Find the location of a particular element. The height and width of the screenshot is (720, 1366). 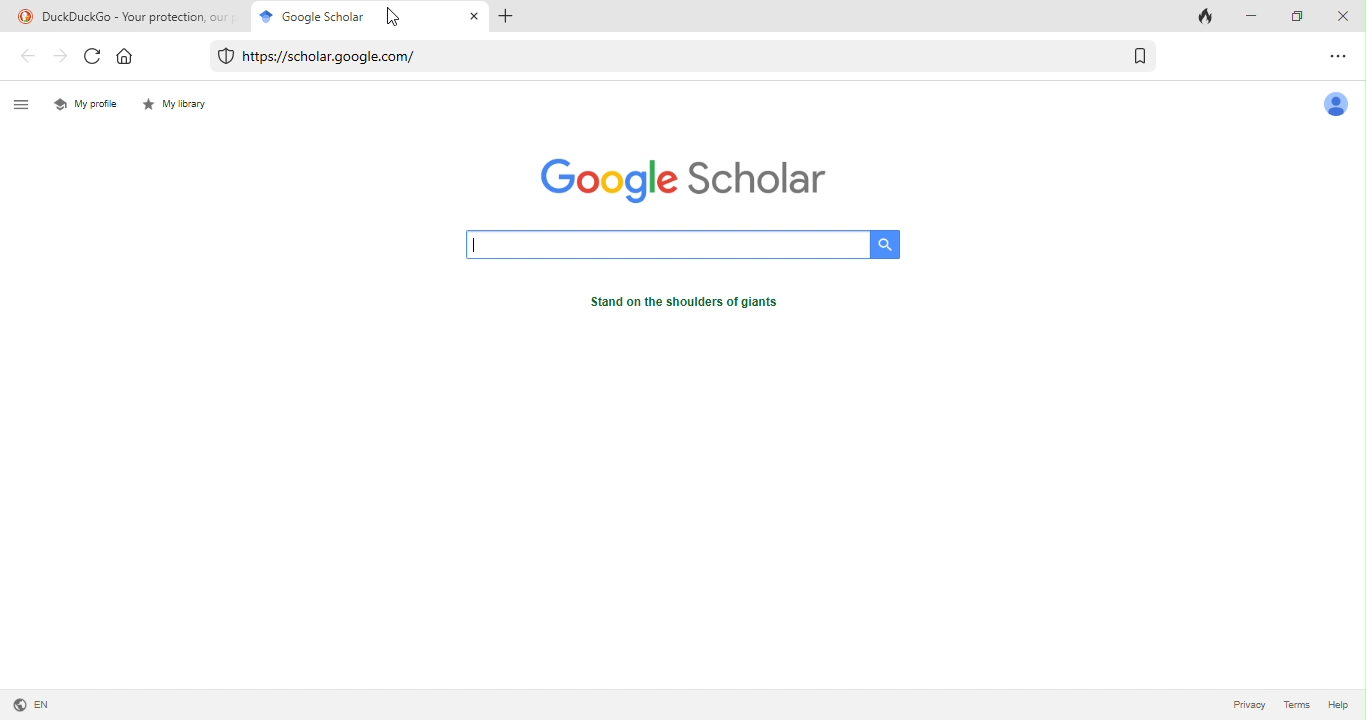

google scholar logo is located at coordinates (677, 178).